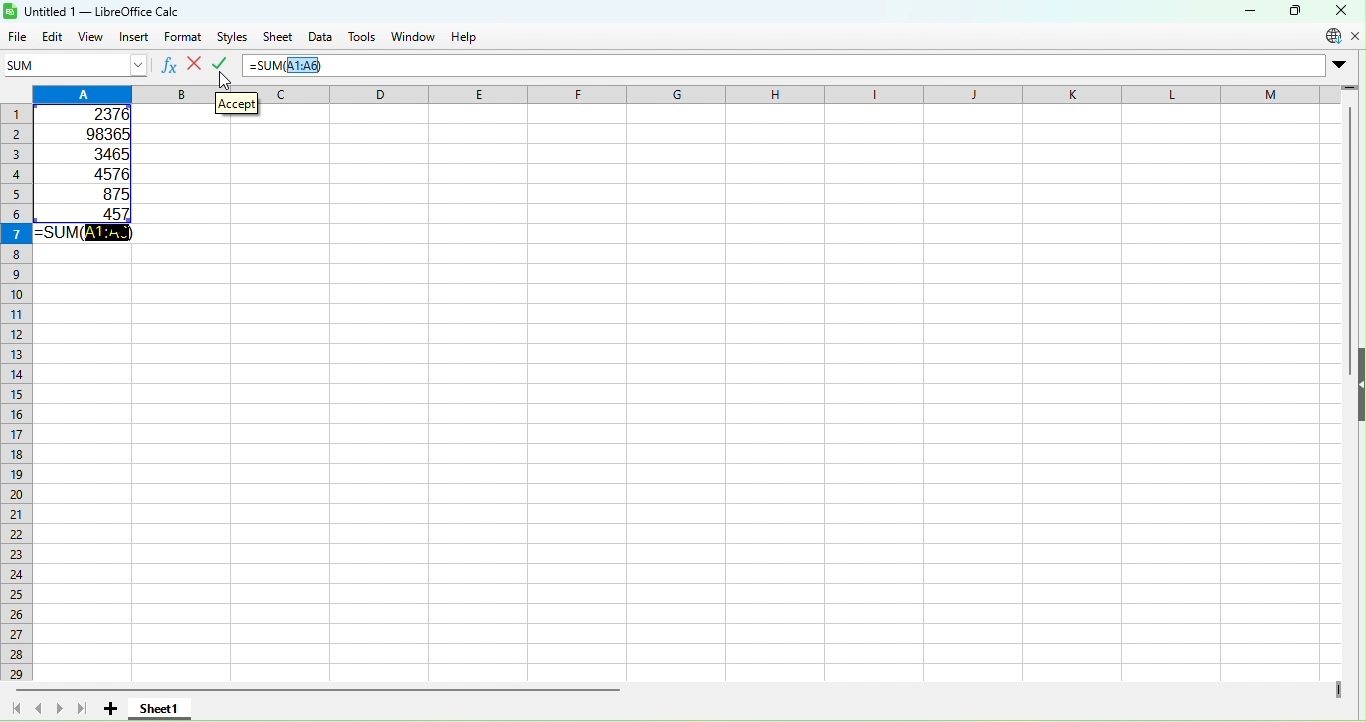 This screenshot has width=1366, height=722. Describe the element at coordinates (467, 36) in the screenshot. I see `Help` at that location.